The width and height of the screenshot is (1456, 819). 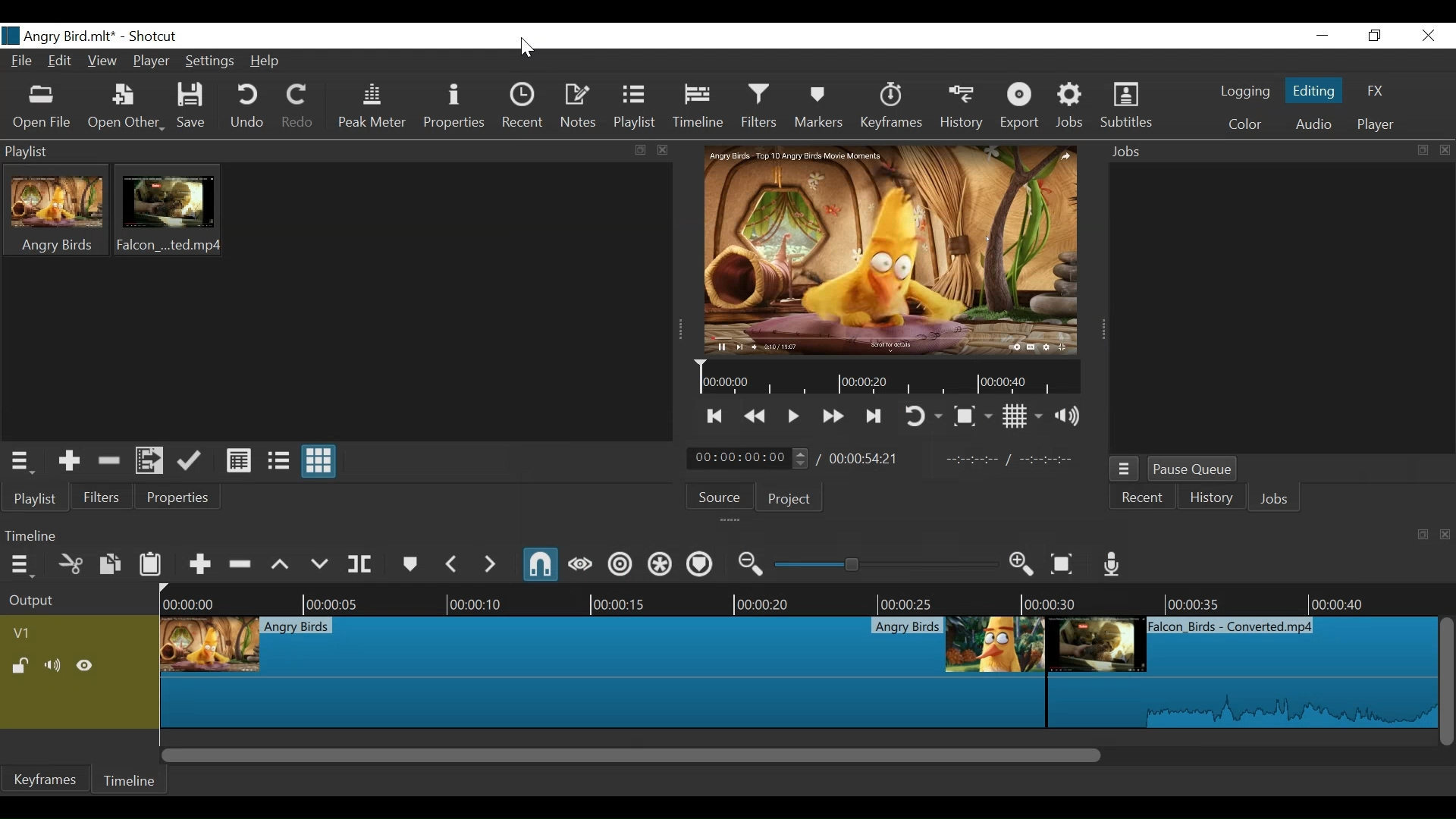 What do you see at coordinates (727, 536) in the screenshot?
I see `Timeline Panel` at bounding box center [727, 536].